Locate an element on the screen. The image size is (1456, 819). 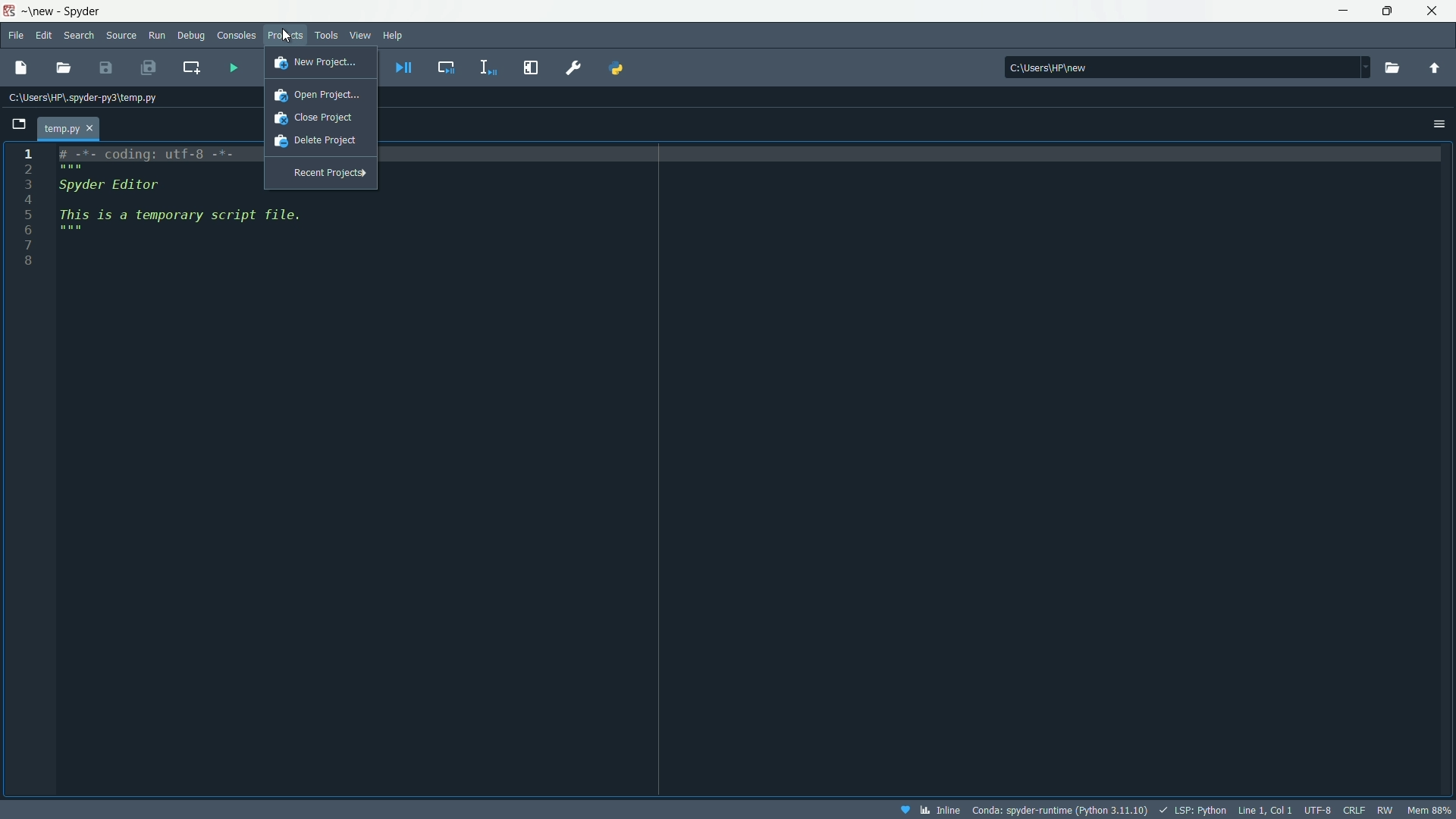
PYTHONPATH manager is located at coordinates (614, 70).